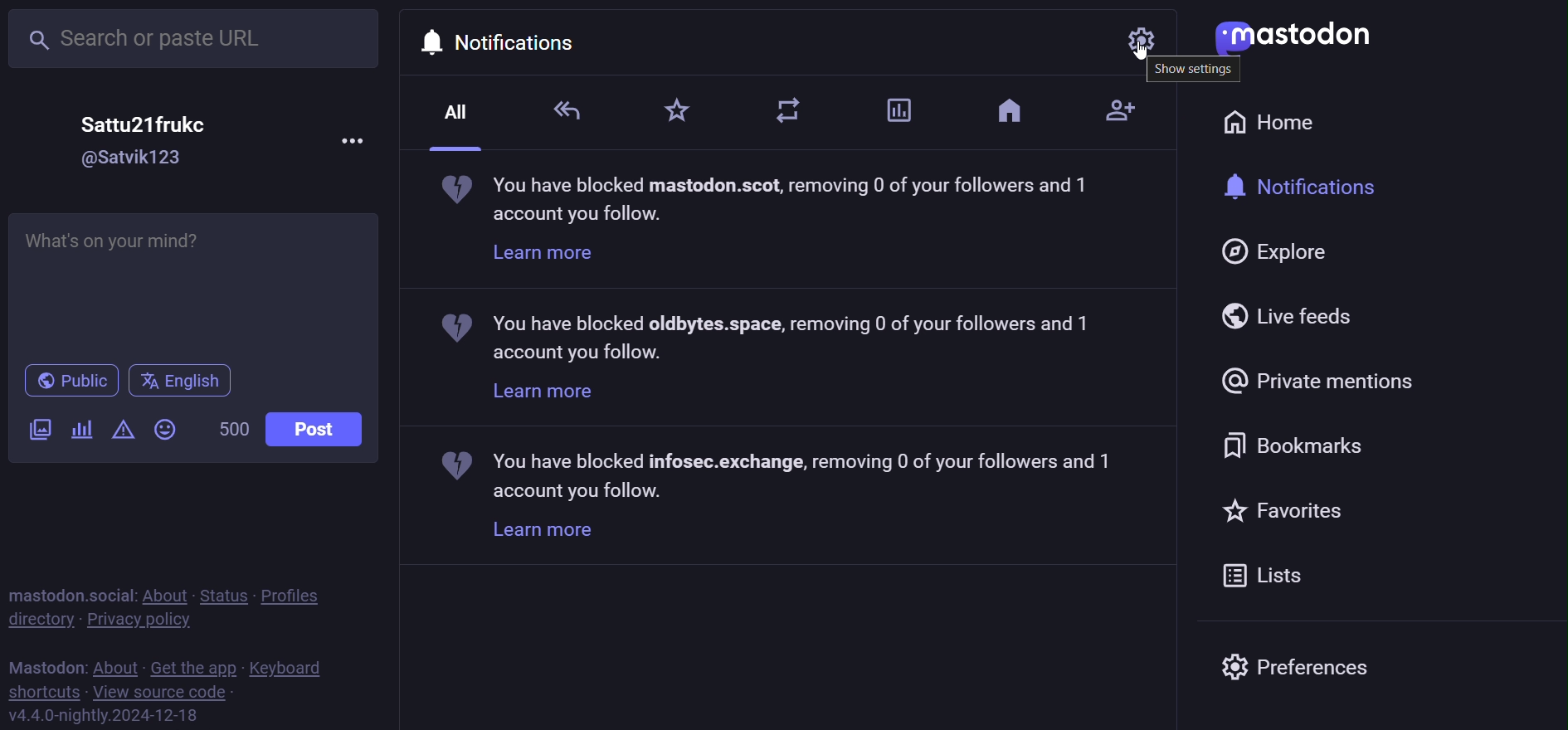 The width and height of the screenshot is (1568, 730). What do you see at coordinates (568, 112) in the screenshot?
I see `reply` at bounding box center [568, 112].